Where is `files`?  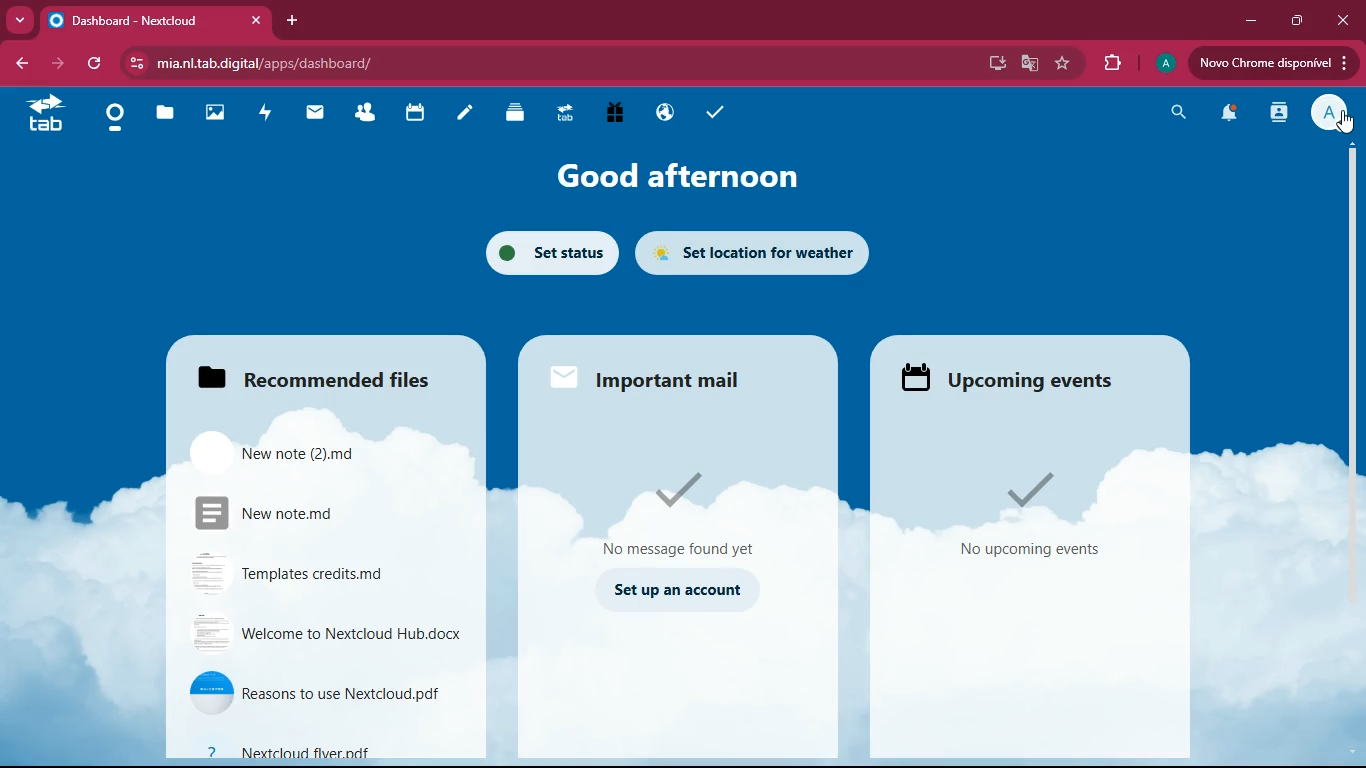
files is located at coordinates (164, 115).